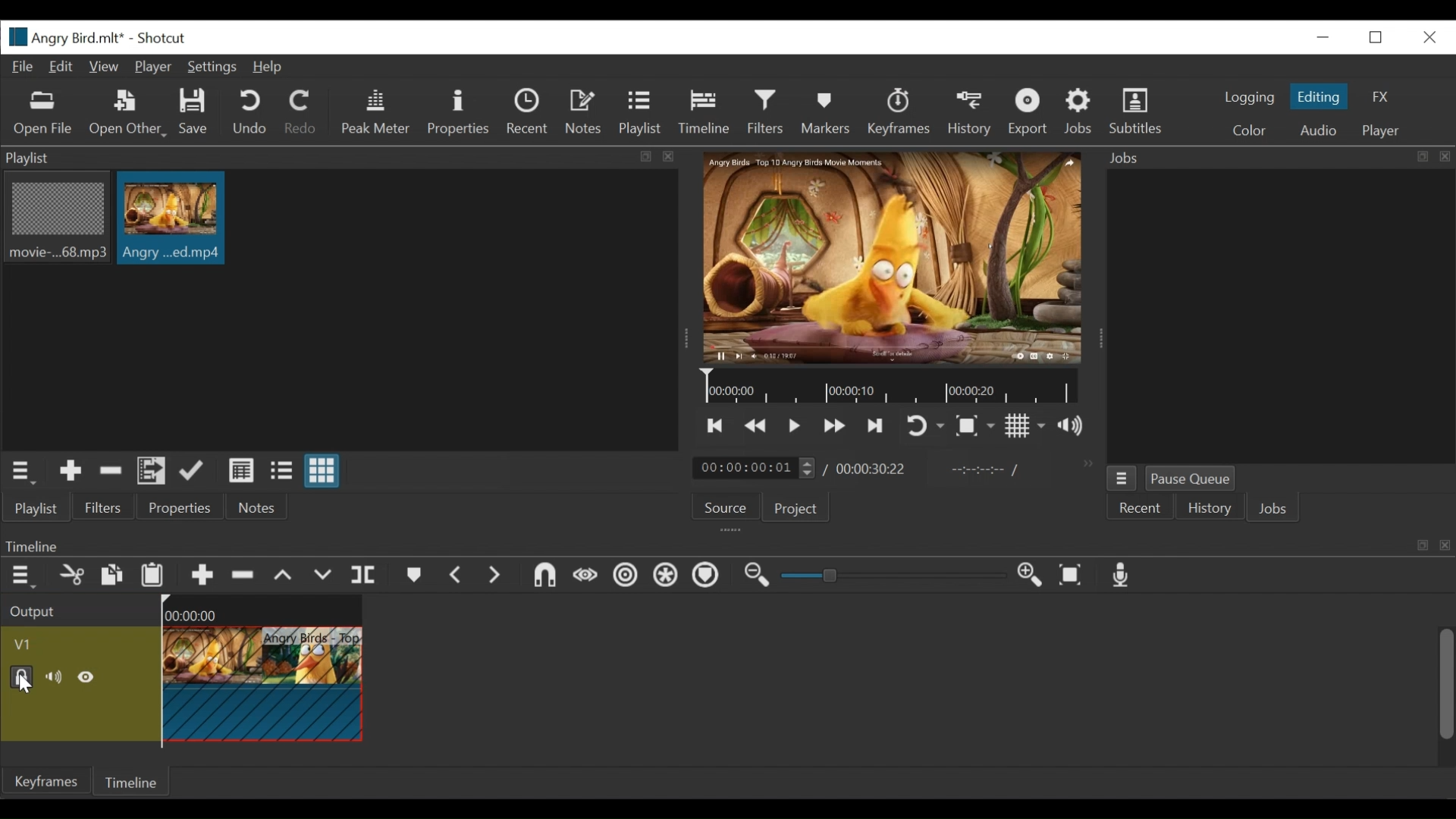 The image size is (1456, 819). Describe the element at coordinates (1123, 576) in the screenshot. I see `Record audio` at that location.